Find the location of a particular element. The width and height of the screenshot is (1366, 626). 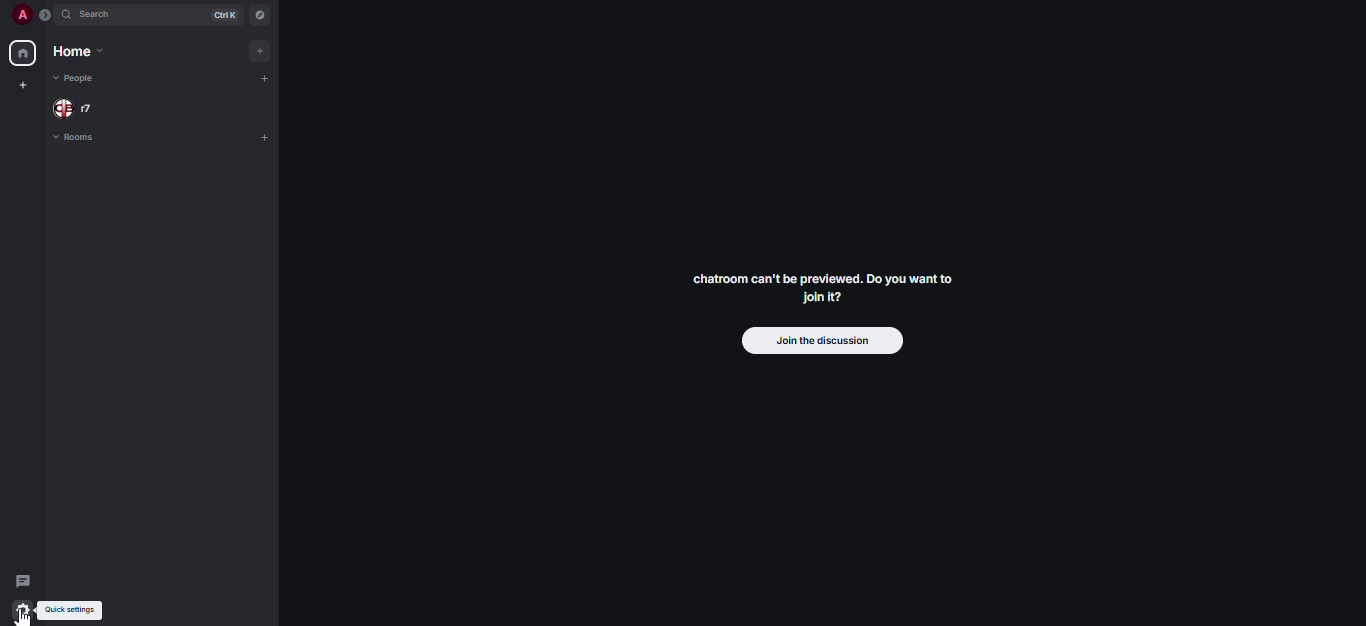

home is located at coordinates (78, 51).